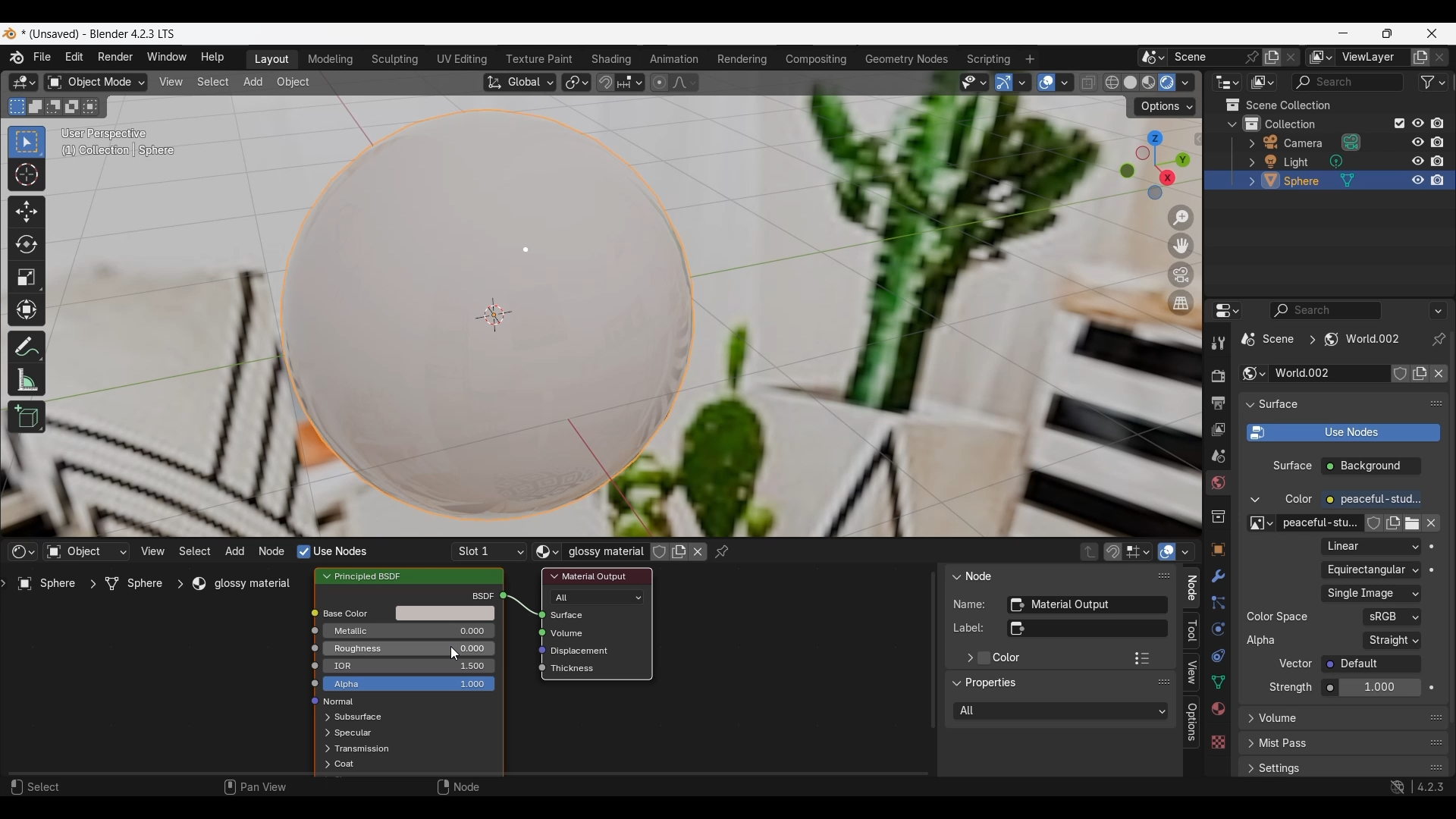 Image resolution: width=1456 pixels, height=819 pixels. Describe the element at coordinates (1343, 33) in the screenshot. I see `Minimize` at that location.